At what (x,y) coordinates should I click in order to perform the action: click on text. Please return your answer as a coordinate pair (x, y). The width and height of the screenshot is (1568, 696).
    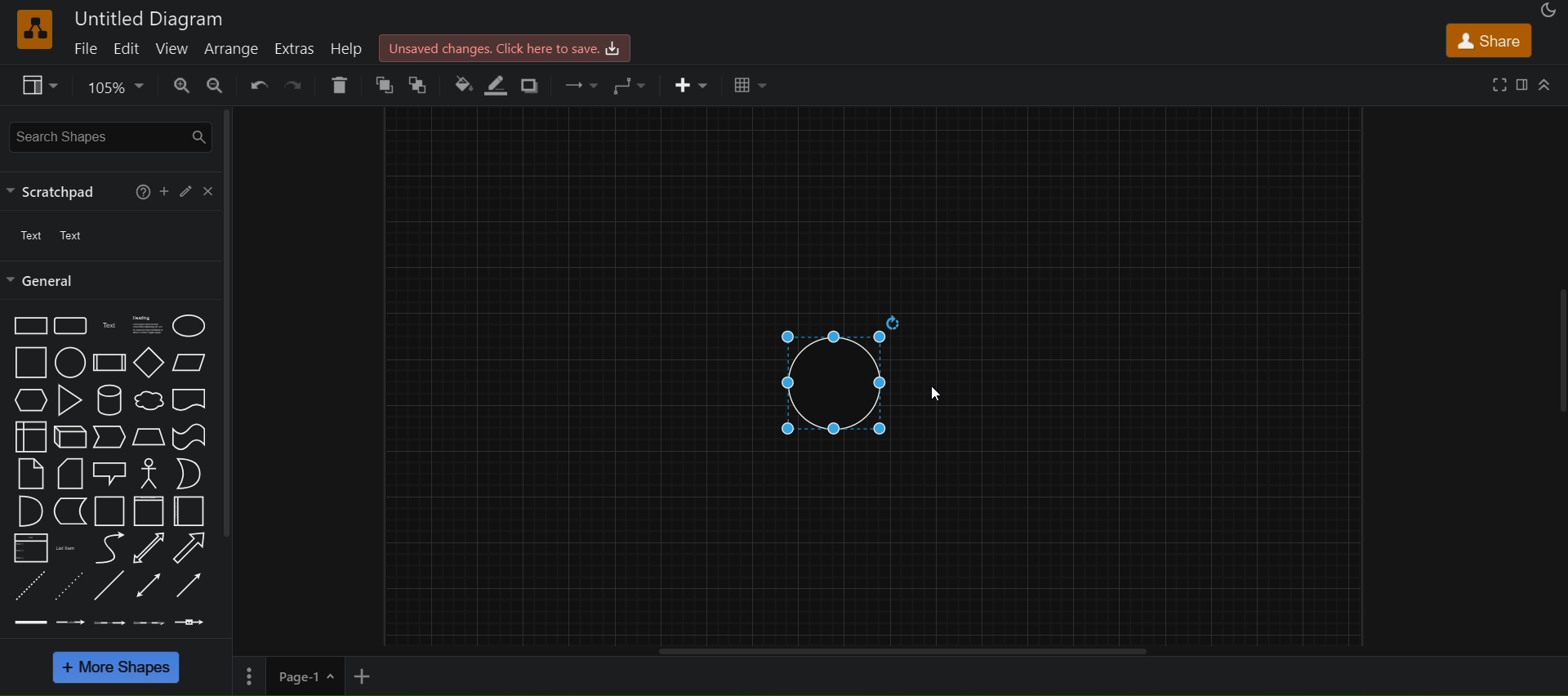
    Looking at the image, I should click on (106, 327).